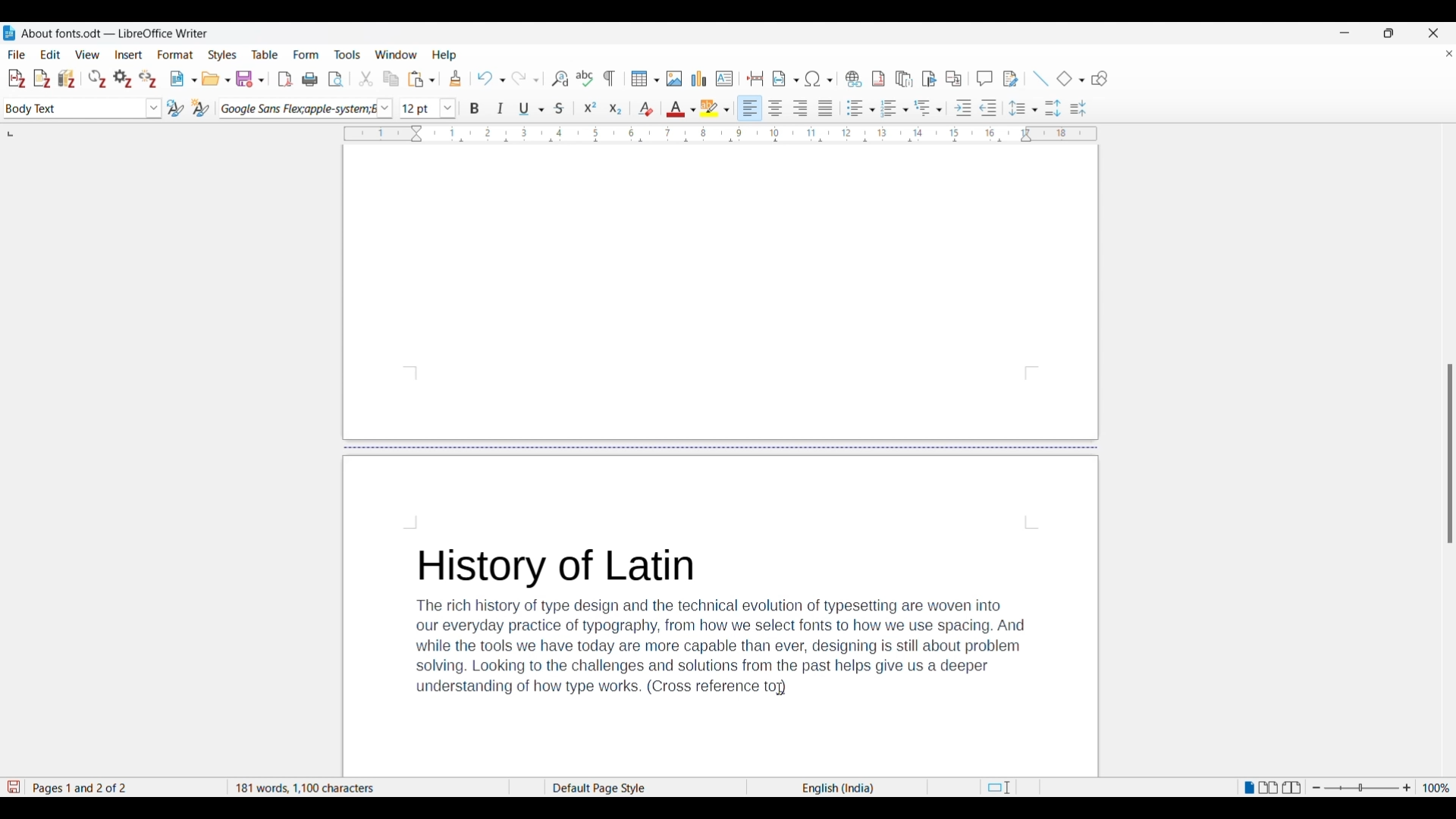 Image resolution: width=1456 pixels, height=819 pixels. Describe the element at coordinates (306, 55) in the screenshot. I see `Form menu` at that location.